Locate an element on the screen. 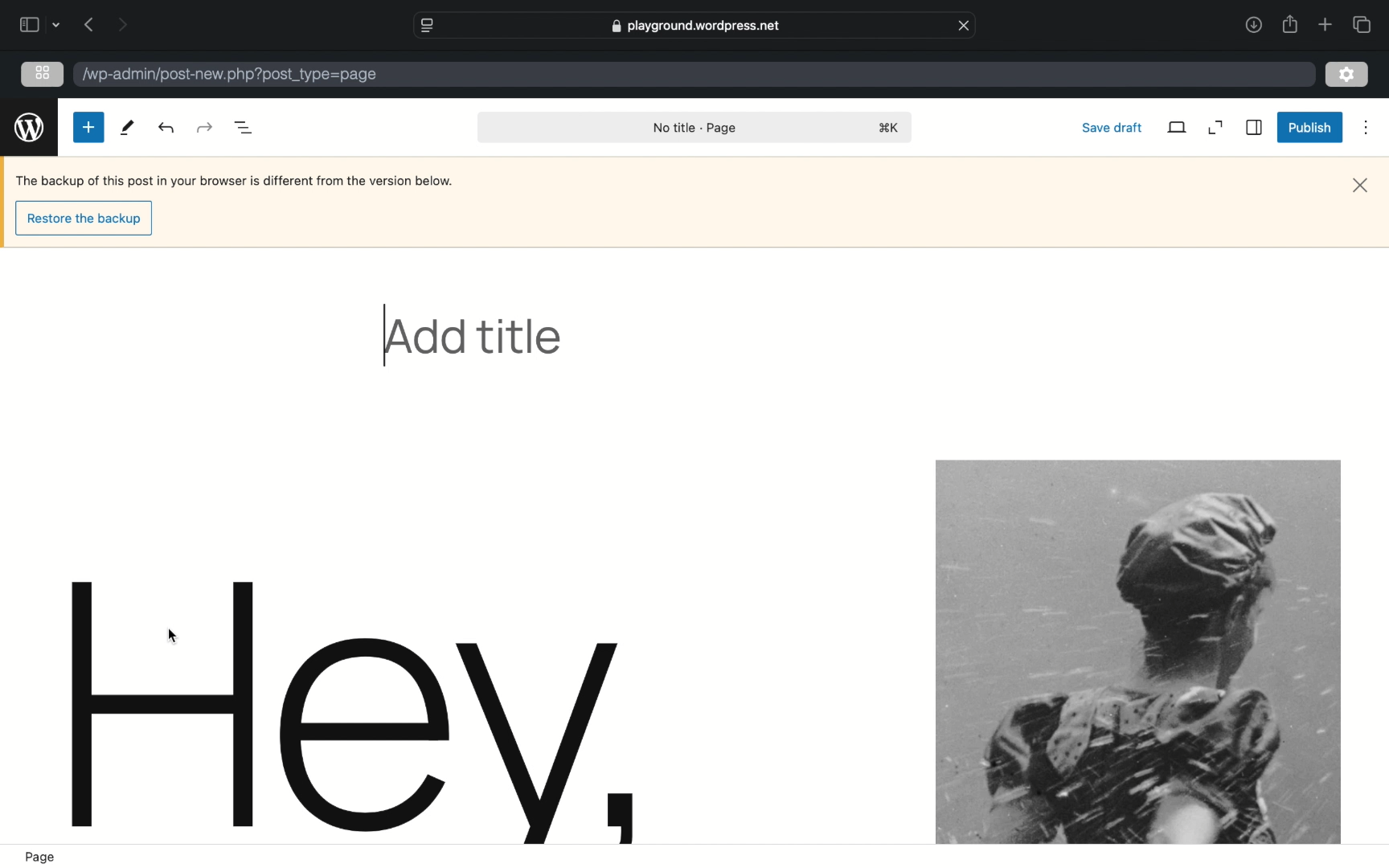  photo is located at coordinates (1137, 651).